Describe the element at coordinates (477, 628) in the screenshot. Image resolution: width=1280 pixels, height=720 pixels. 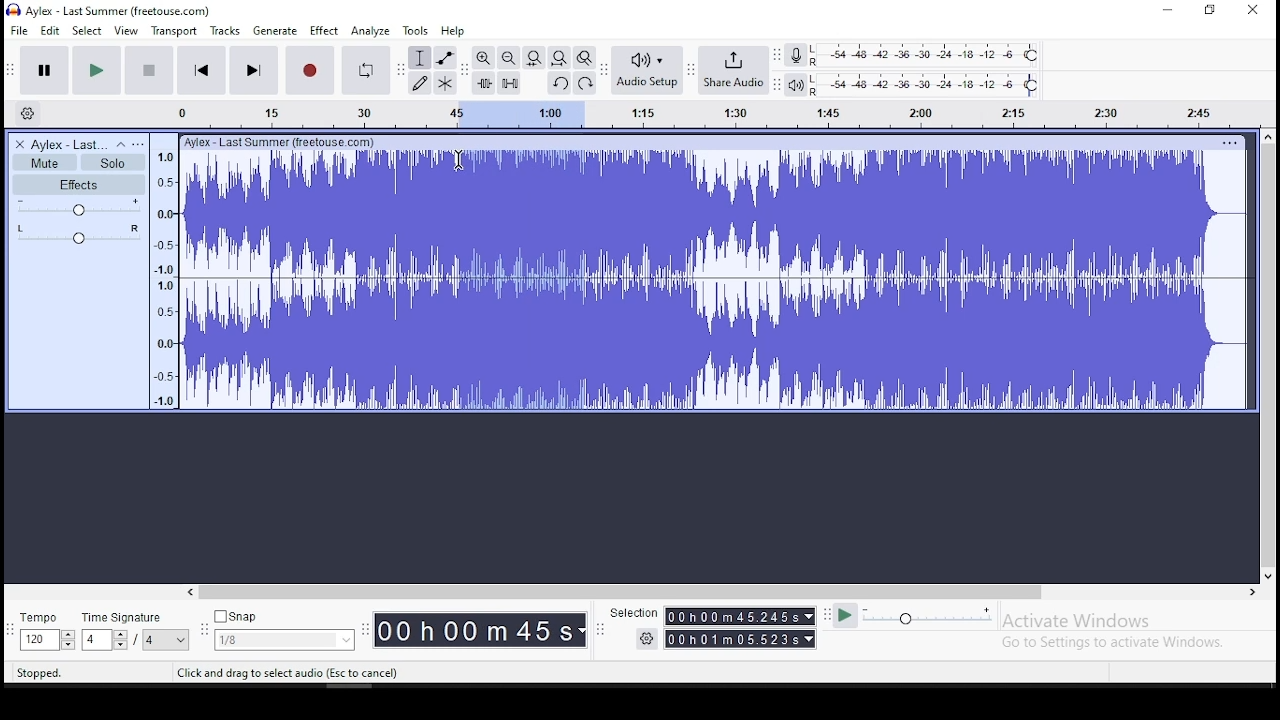
I see `00h 00m 00 s` at that location.